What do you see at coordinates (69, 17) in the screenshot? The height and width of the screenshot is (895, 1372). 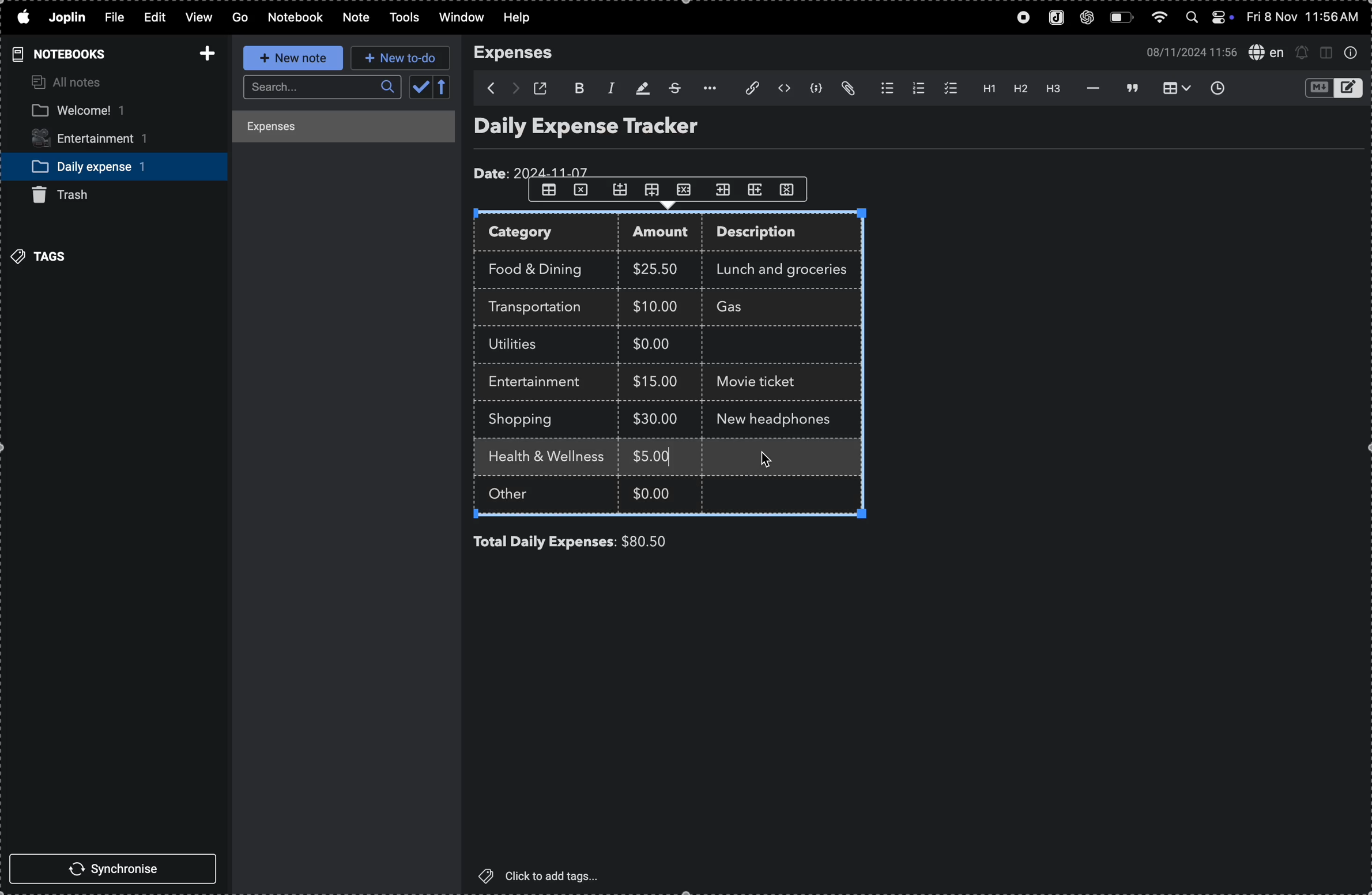 I see `joplin` at bounding box center [69, 17].